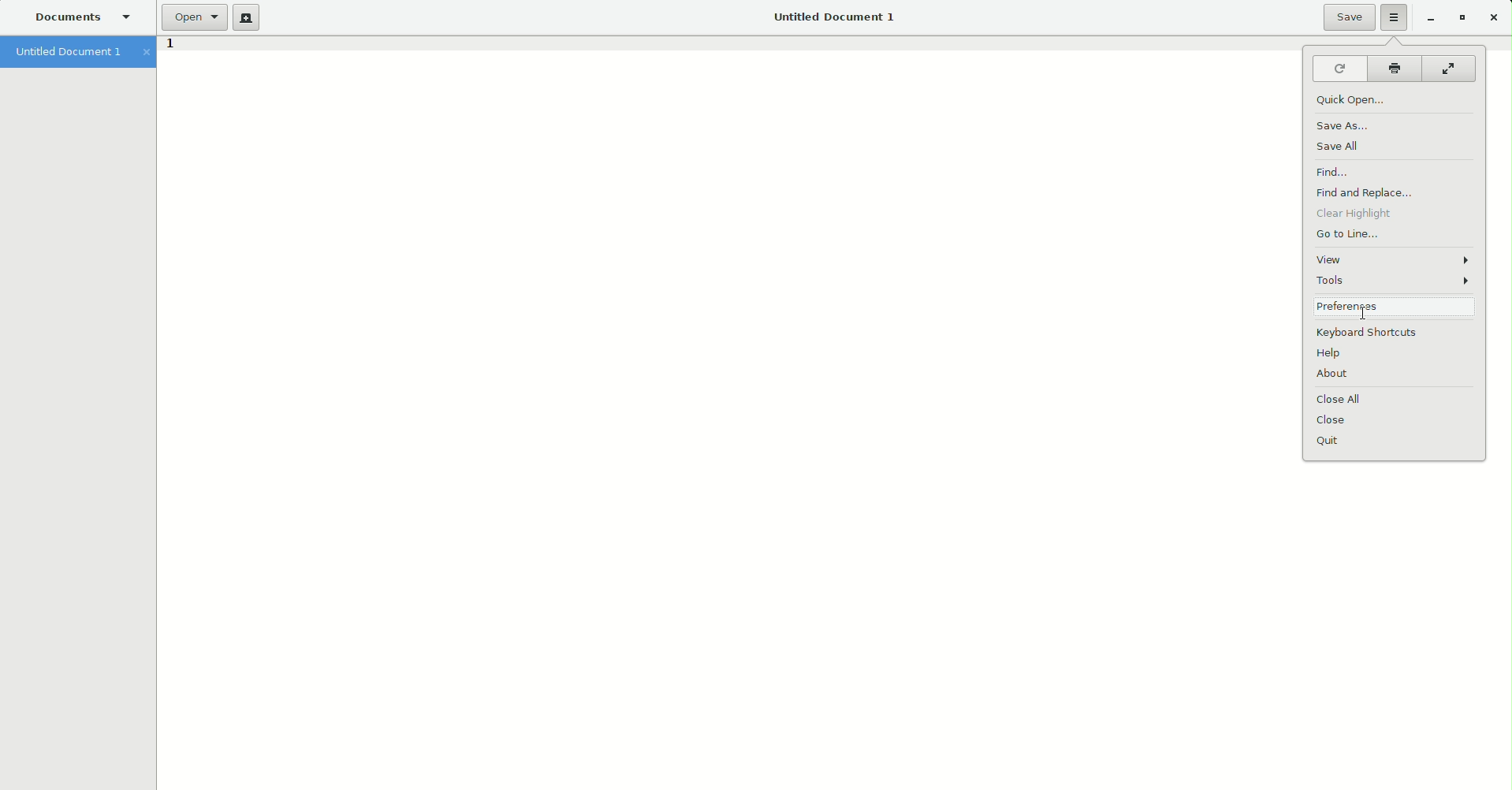  What do you see at coordinates (1492, 17) in the screenshot?
I see `Close` at bounding box center [1492, 17].